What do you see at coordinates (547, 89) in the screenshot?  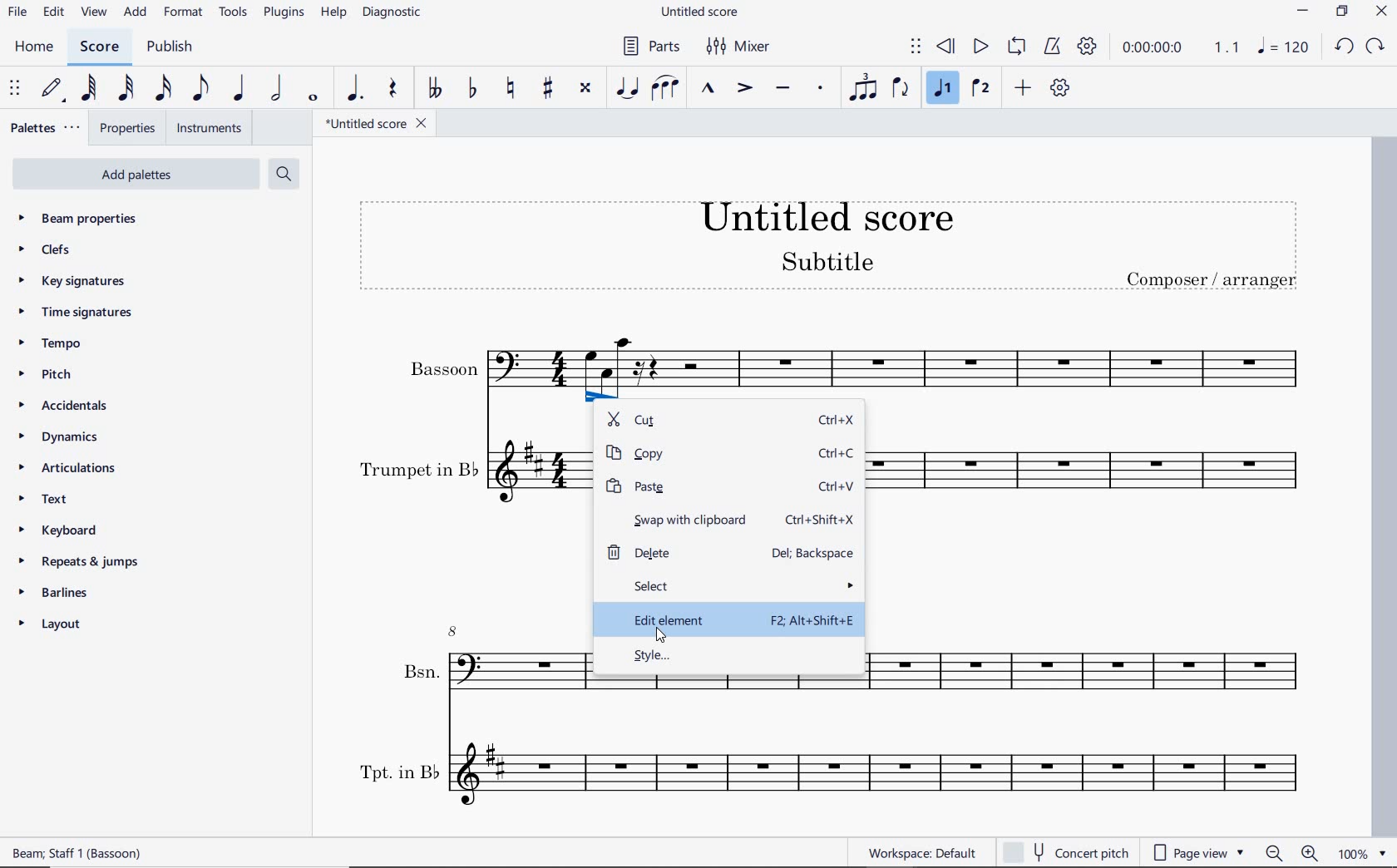 I see `toggle sharp` at bounding box center [547, 89].